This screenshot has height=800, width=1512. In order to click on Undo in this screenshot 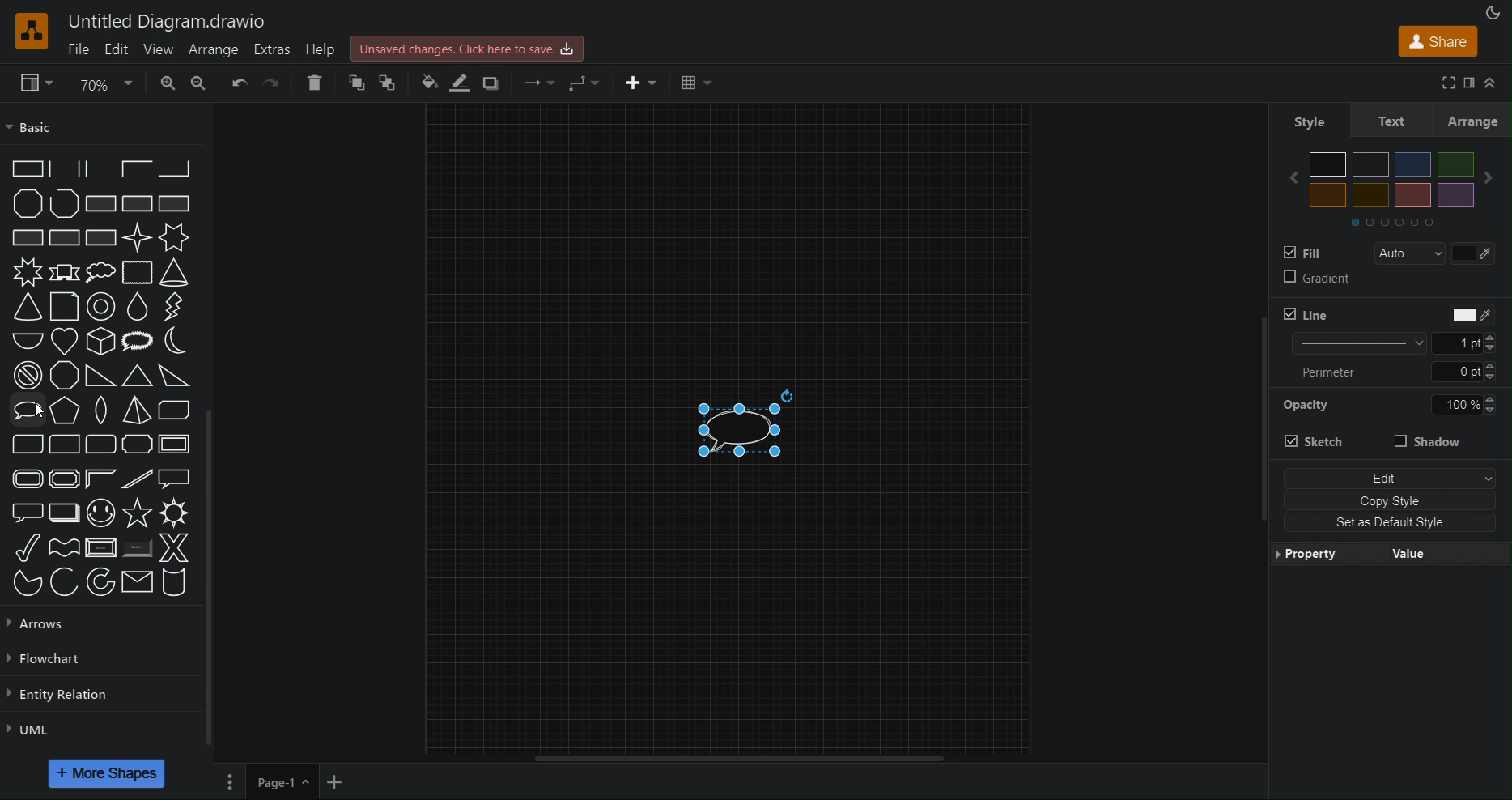, I will do `click(239, 85)`.